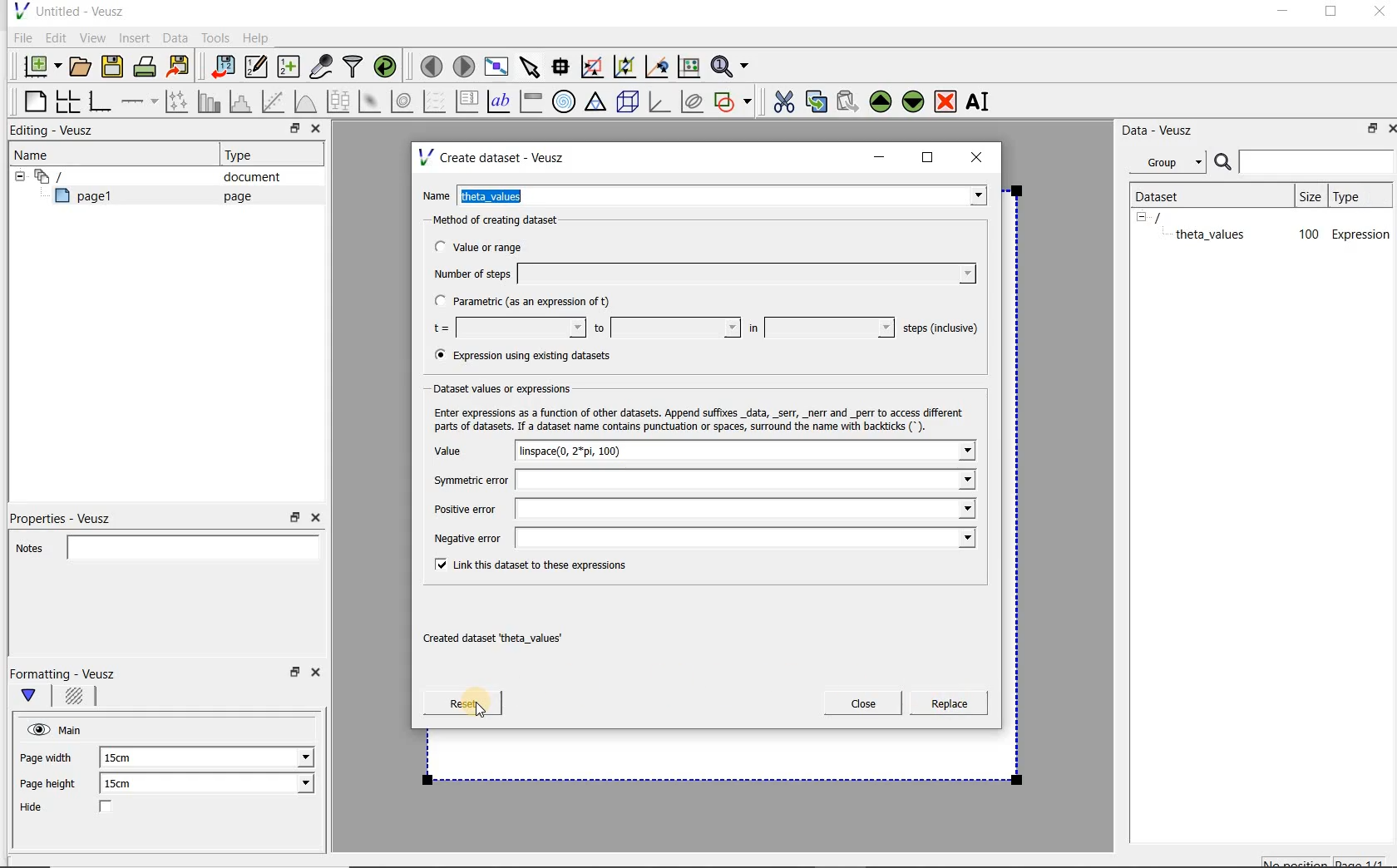 The image size is (1397, 868). Describe the element at coordinates (210, 101) in the screenshot. I see `plot bar charts` at that location.